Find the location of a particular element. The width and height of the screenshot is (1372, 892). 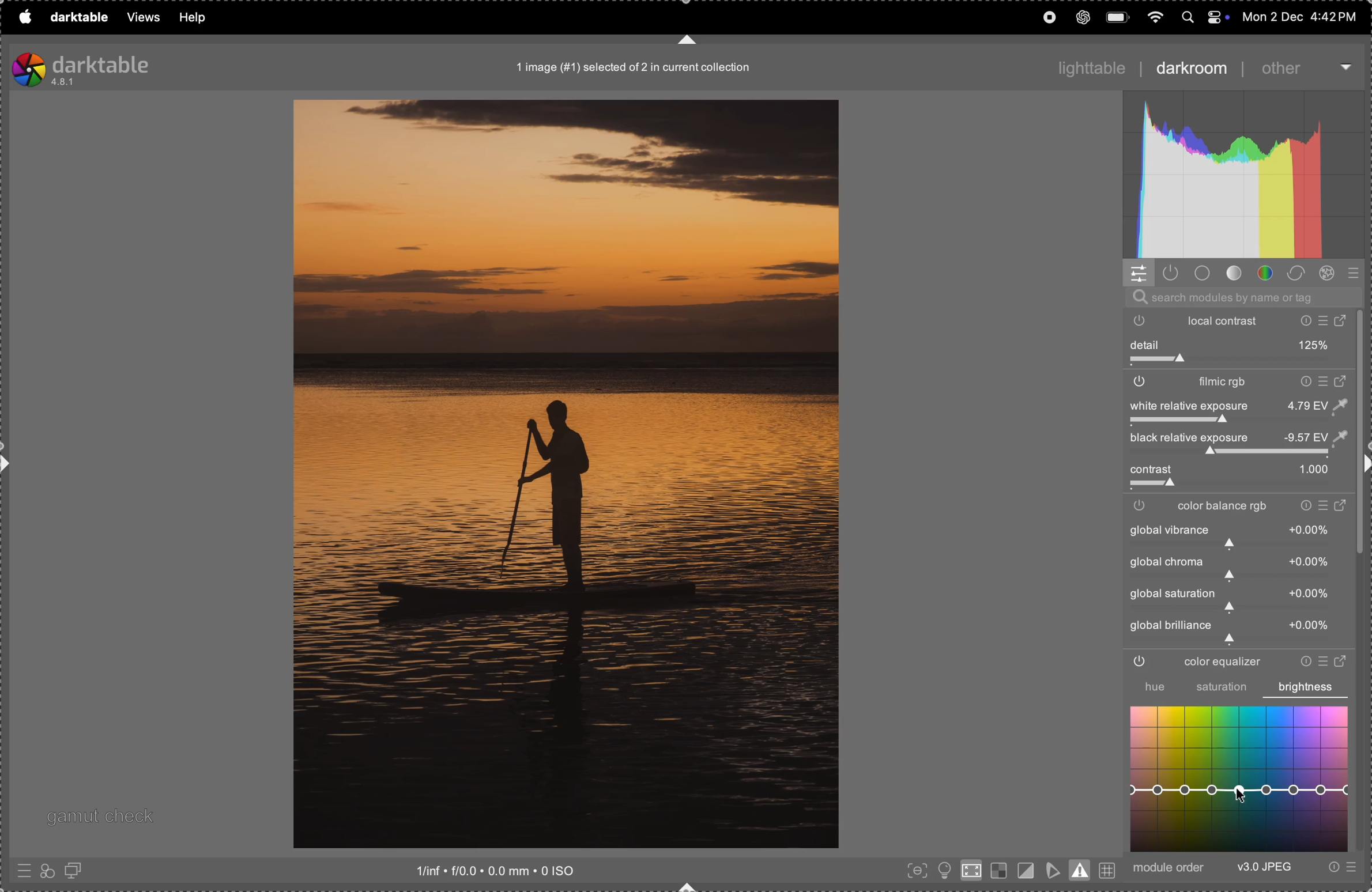

module order is located at coordinates (1171, 868).